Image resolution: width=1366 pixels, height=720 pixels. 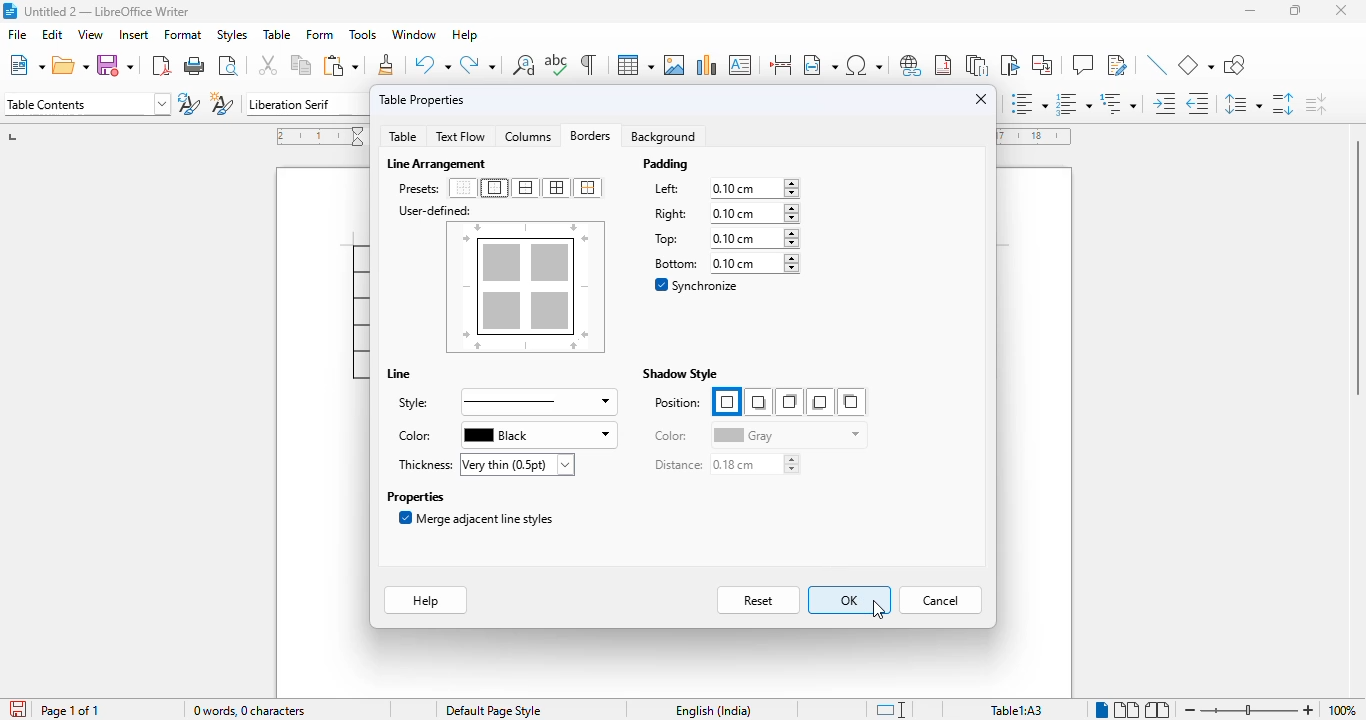 What do you see at coordinates (463, 188) in the screenshot?
I see `no borders` at bounding box center [463, 188].